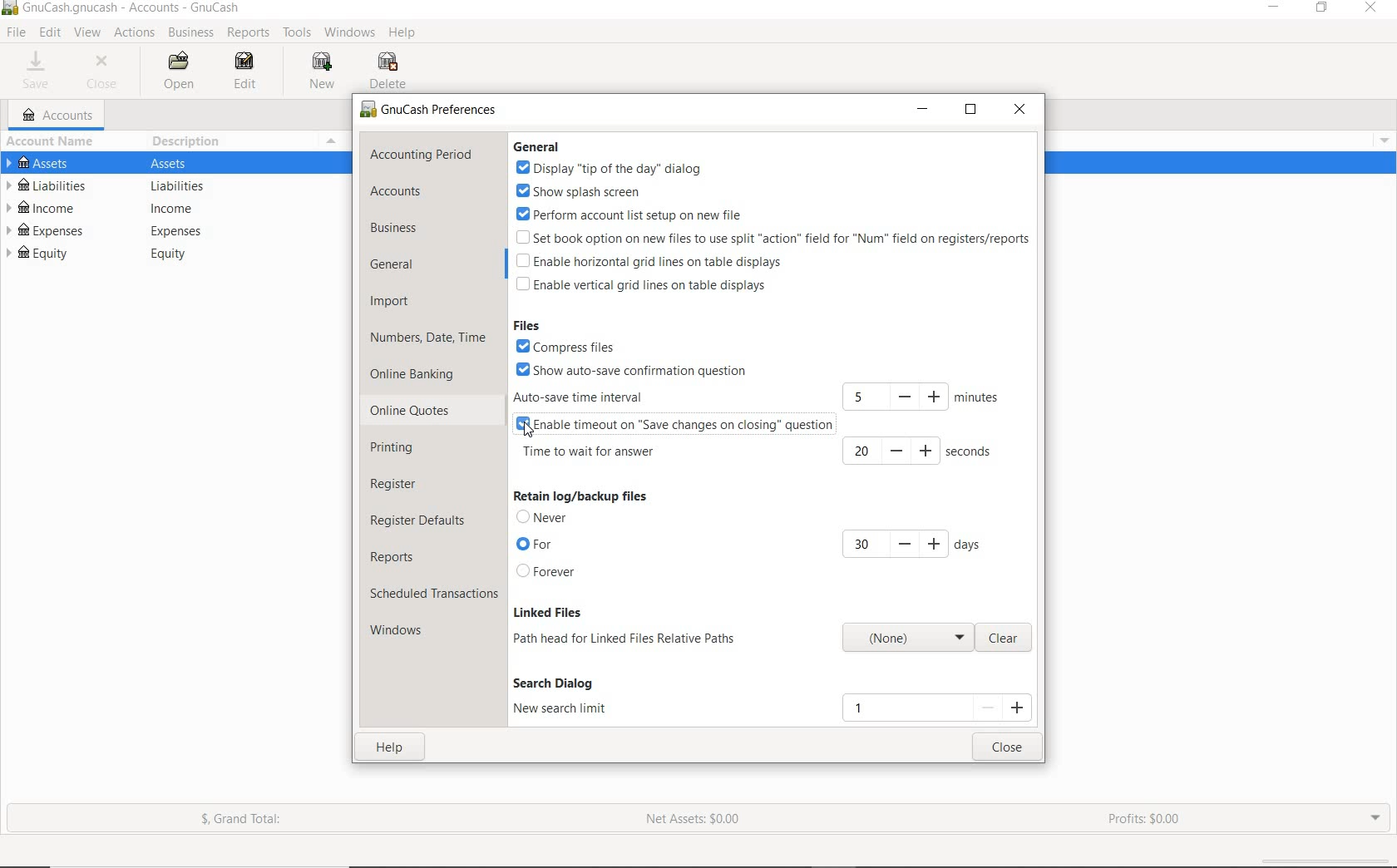  Describe the element at coordinates (396, 559) in the screenshot. I see `REPORTS` at that location.